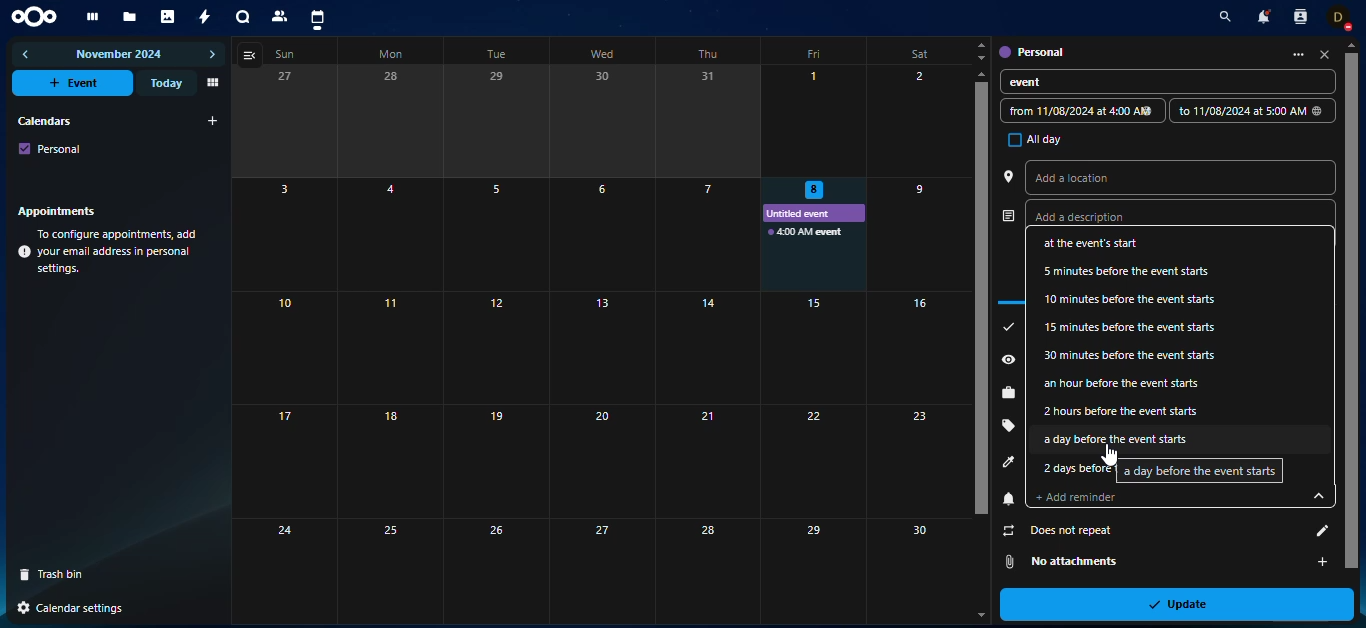  I want to click on notifications, so click(1261, 16).